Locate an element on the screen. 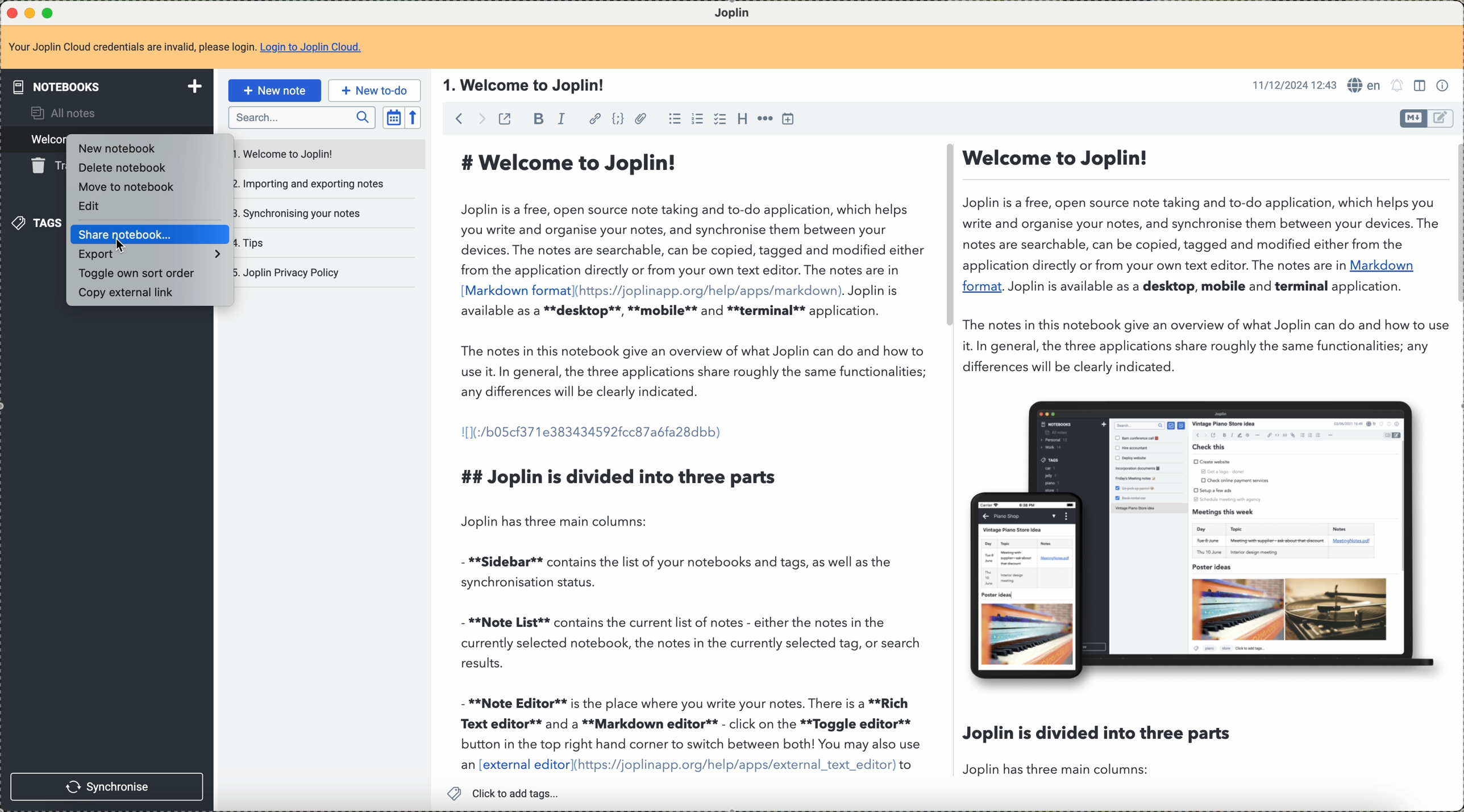 Image resolution: width=1464 pixels, height=812 pixels. new notebook is located at coordinates (114, 148).